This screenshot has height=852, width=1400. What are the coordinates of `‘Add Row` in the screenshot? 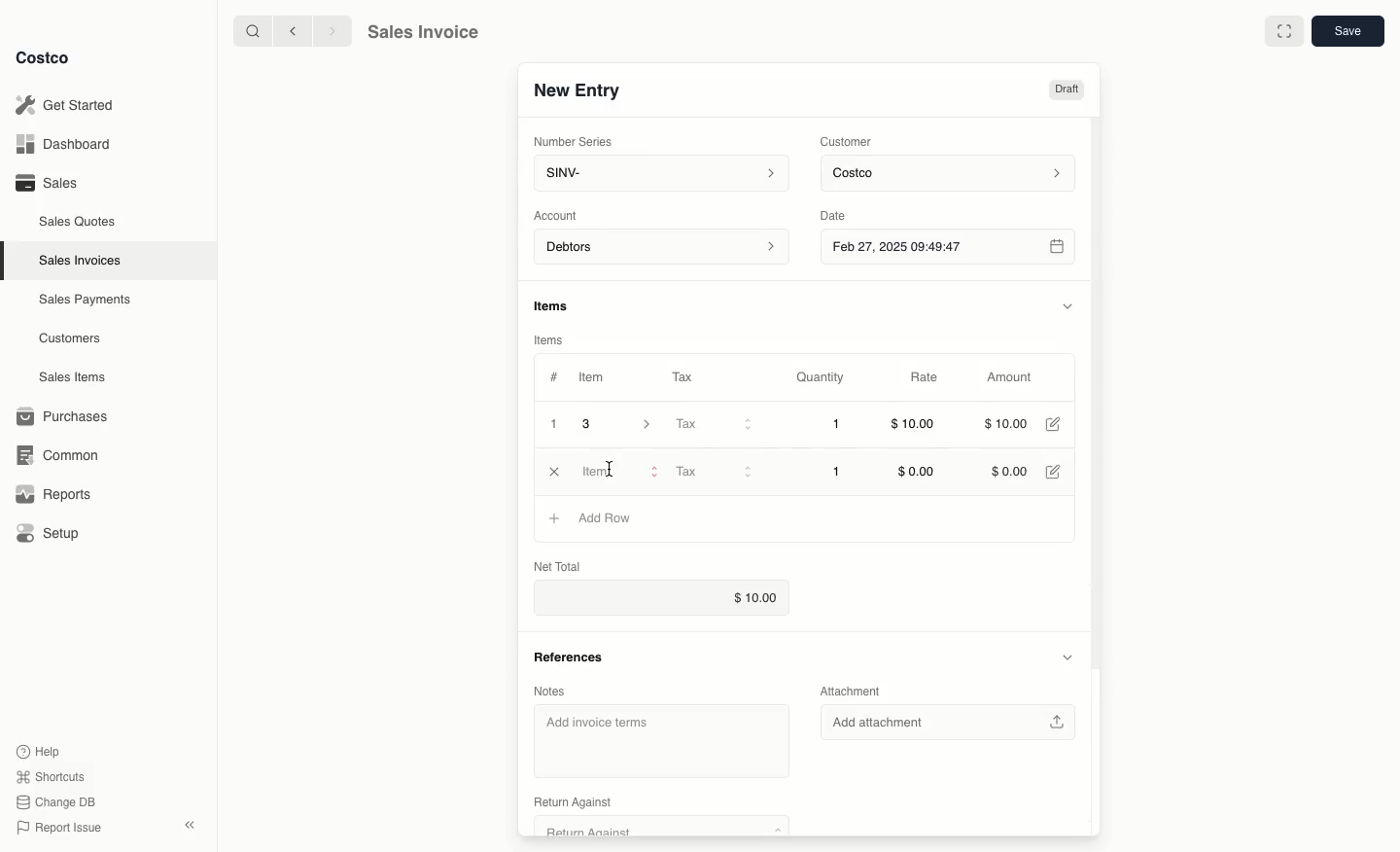 It's located at (609, 520).